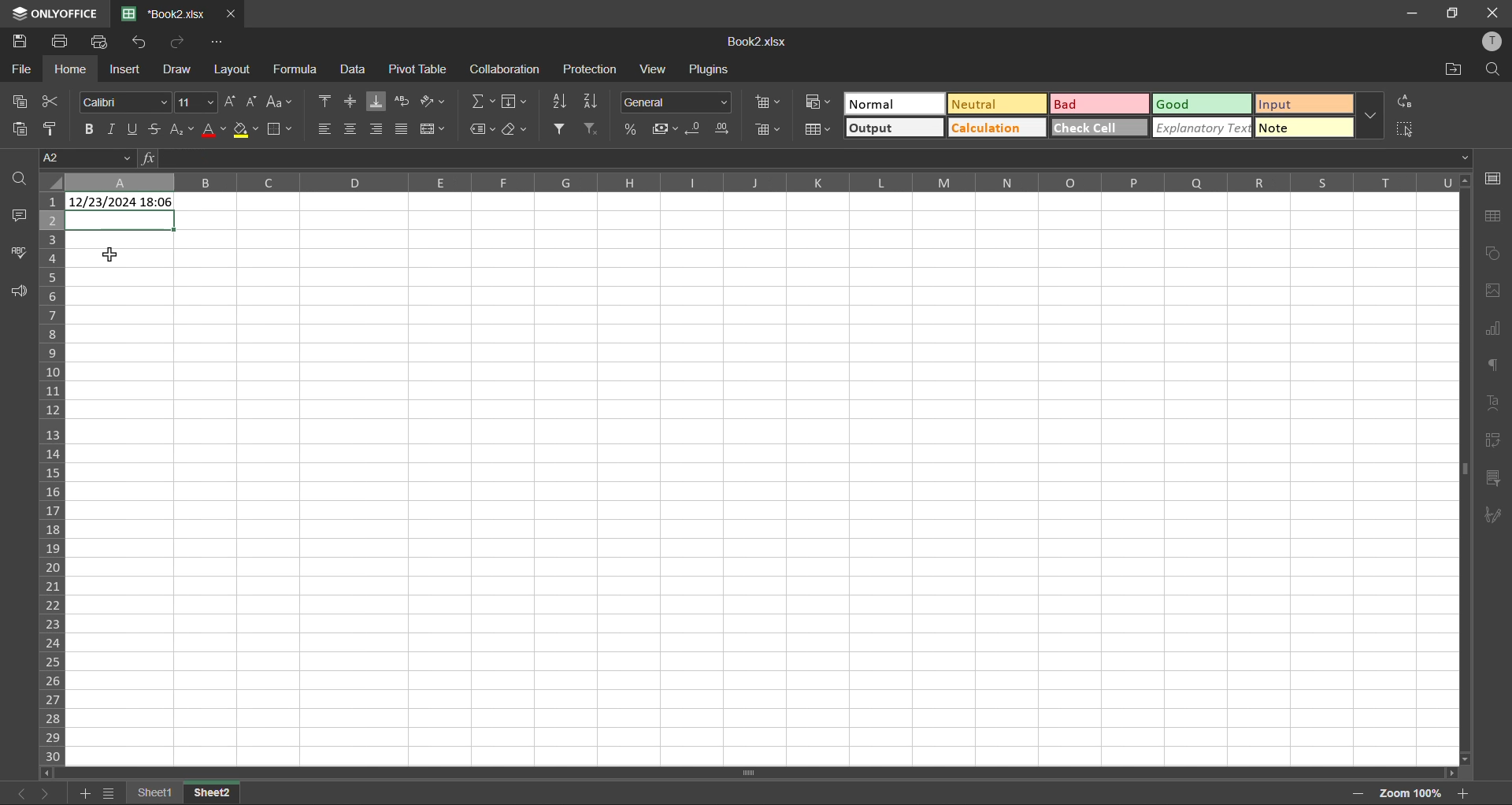 Image resolution: width=1512 pixels, height=805 pixels. Describe the element at coordinates (595, 99) in the screenshot. I see `sort descending` at that location.